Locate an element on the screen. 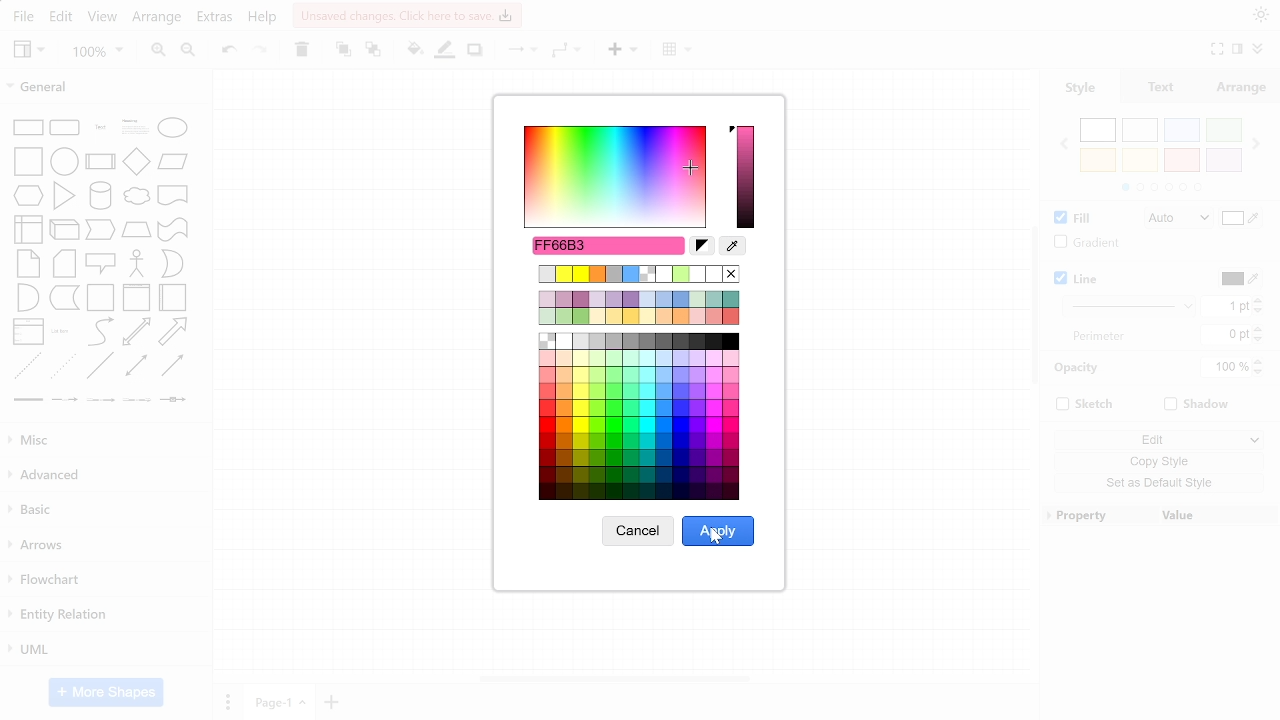 The height and width of the screenshot is (720, 1280). Cursor is located at coordinates (715, 535).